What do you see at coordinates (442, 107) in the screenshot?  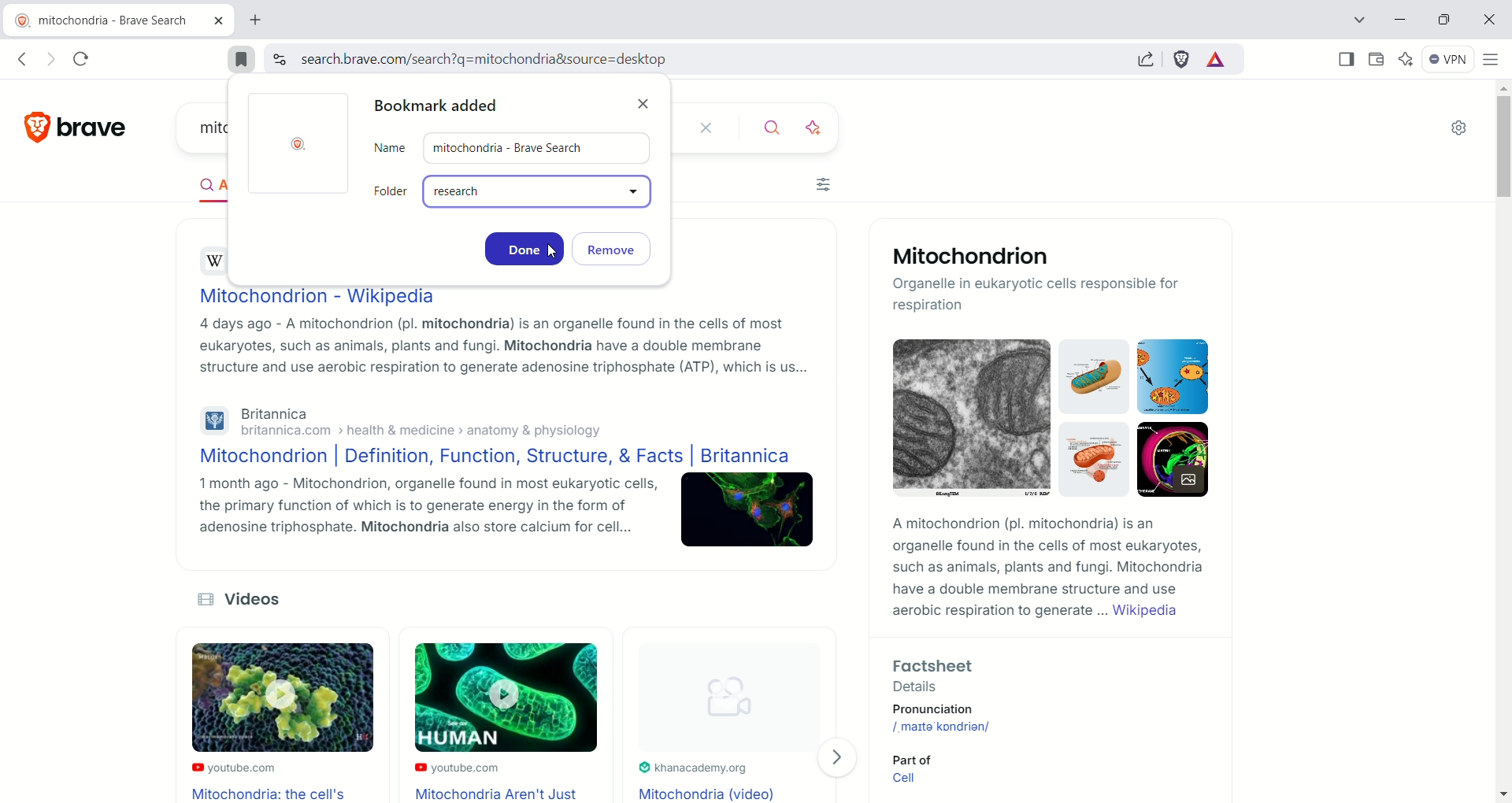 I see `bookmark added` at bounding box center [442, 107].